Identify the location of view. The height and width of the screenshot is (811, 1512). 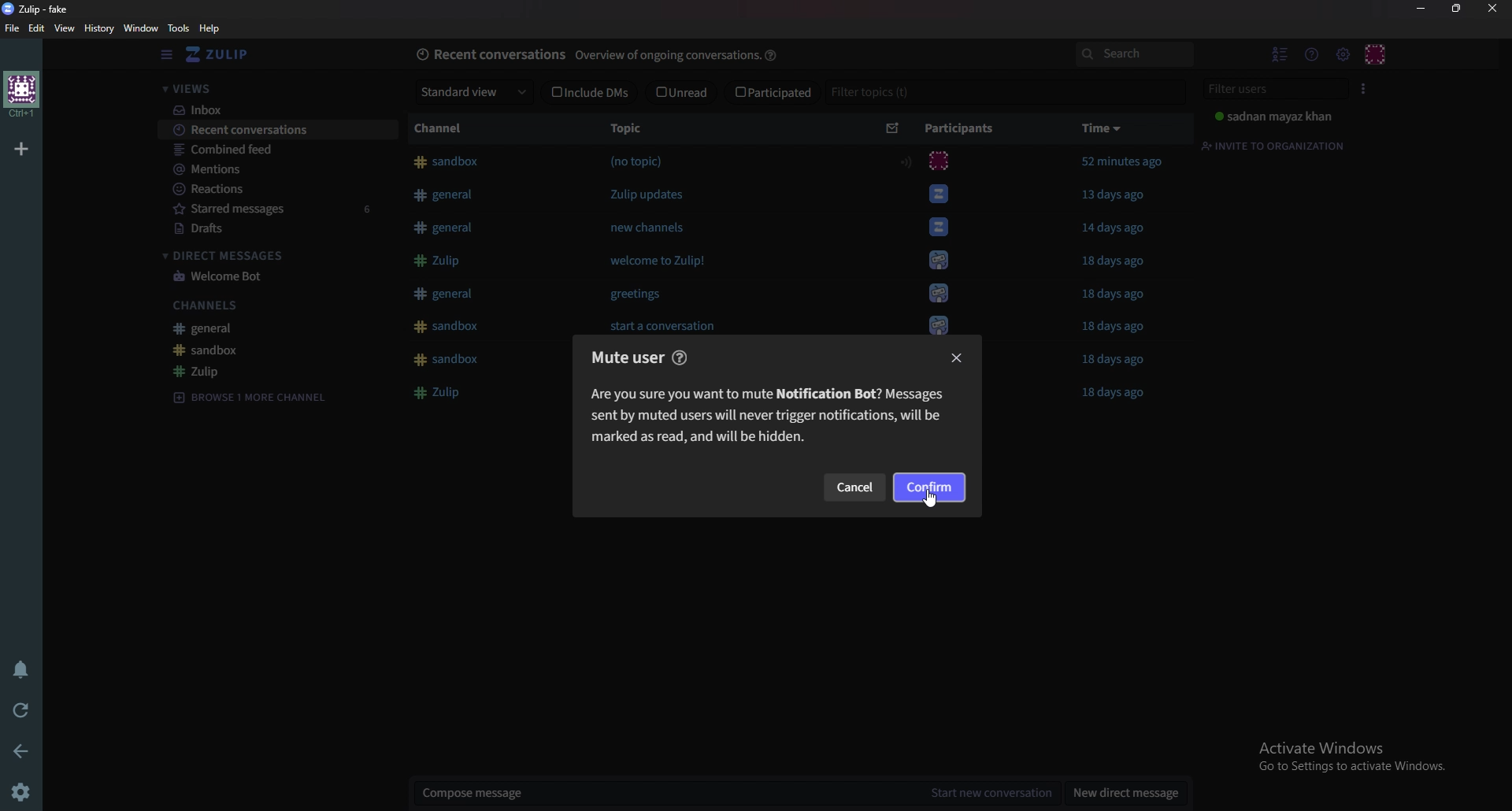
(66, 28).